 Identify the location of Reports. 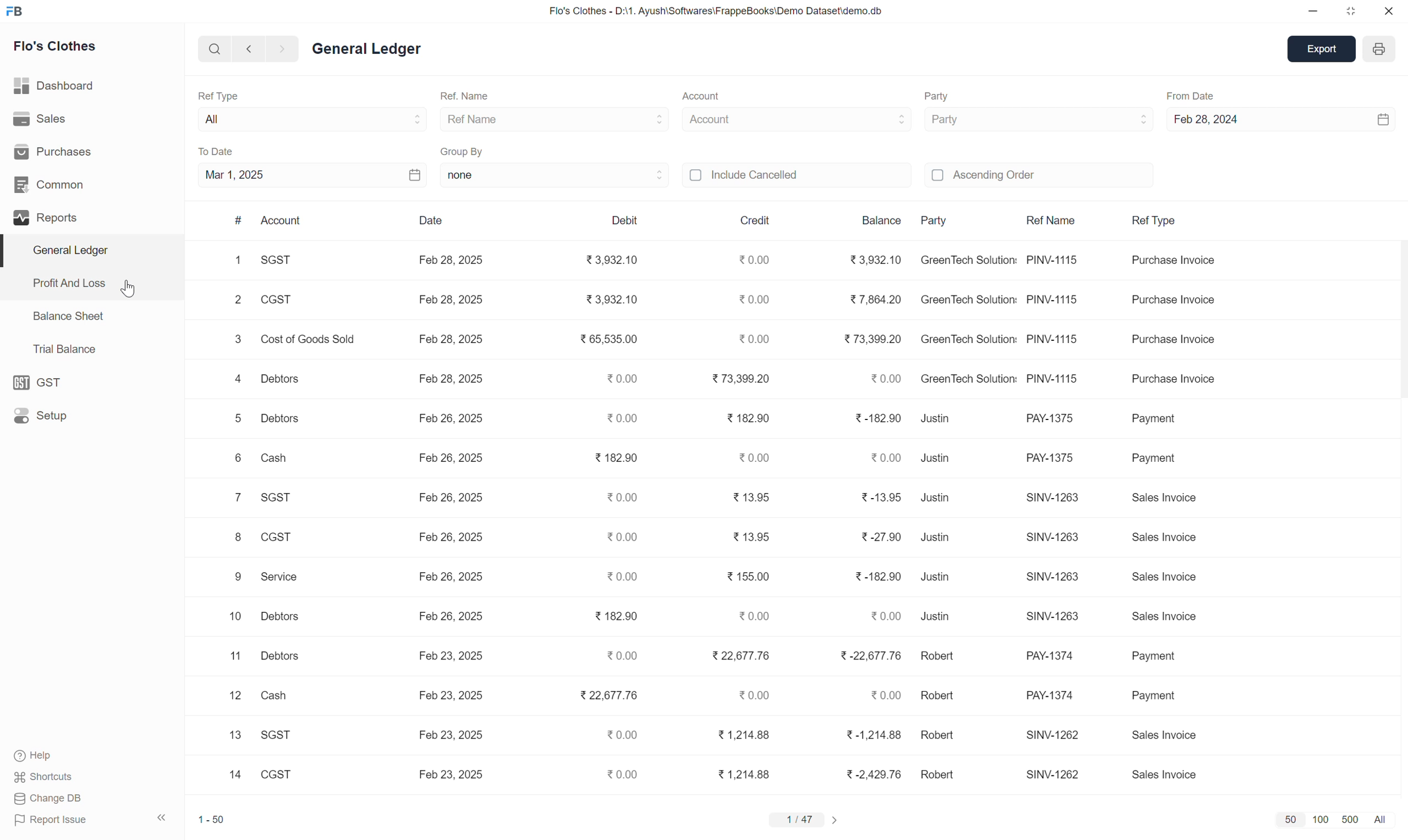
(46, 222).